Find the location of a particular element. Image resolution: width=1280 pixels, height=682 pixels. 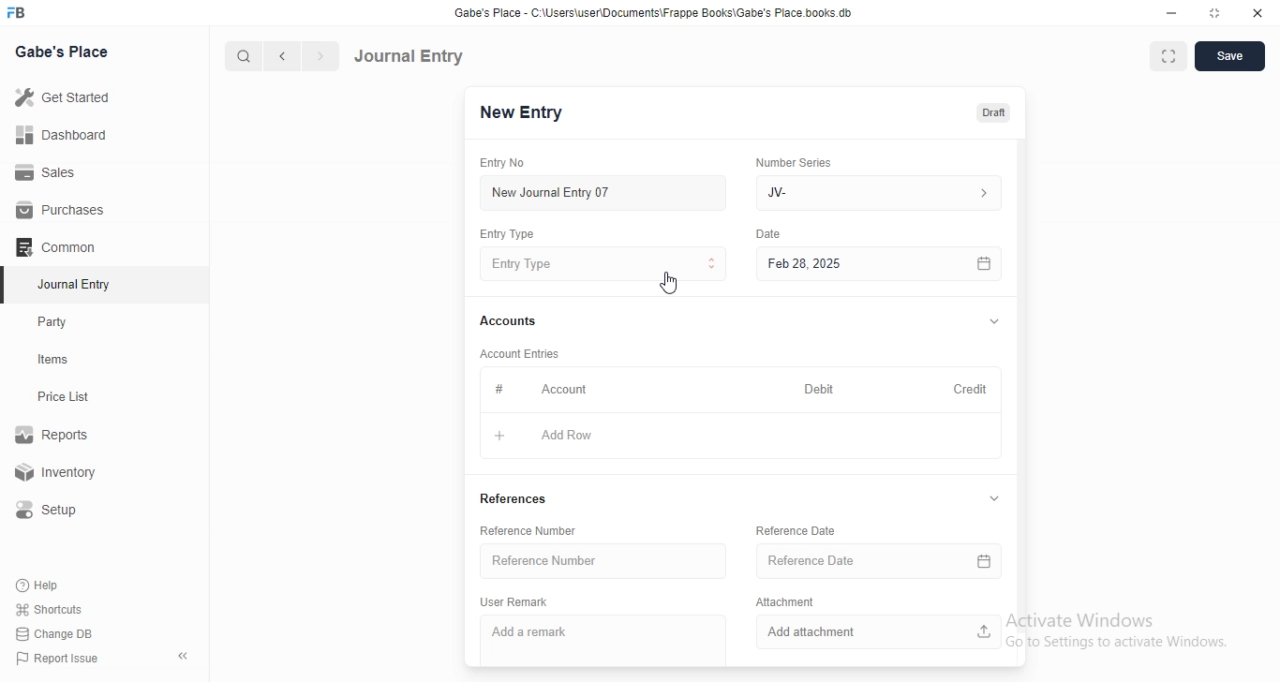

Reports. is located at coordinates (55, 438).